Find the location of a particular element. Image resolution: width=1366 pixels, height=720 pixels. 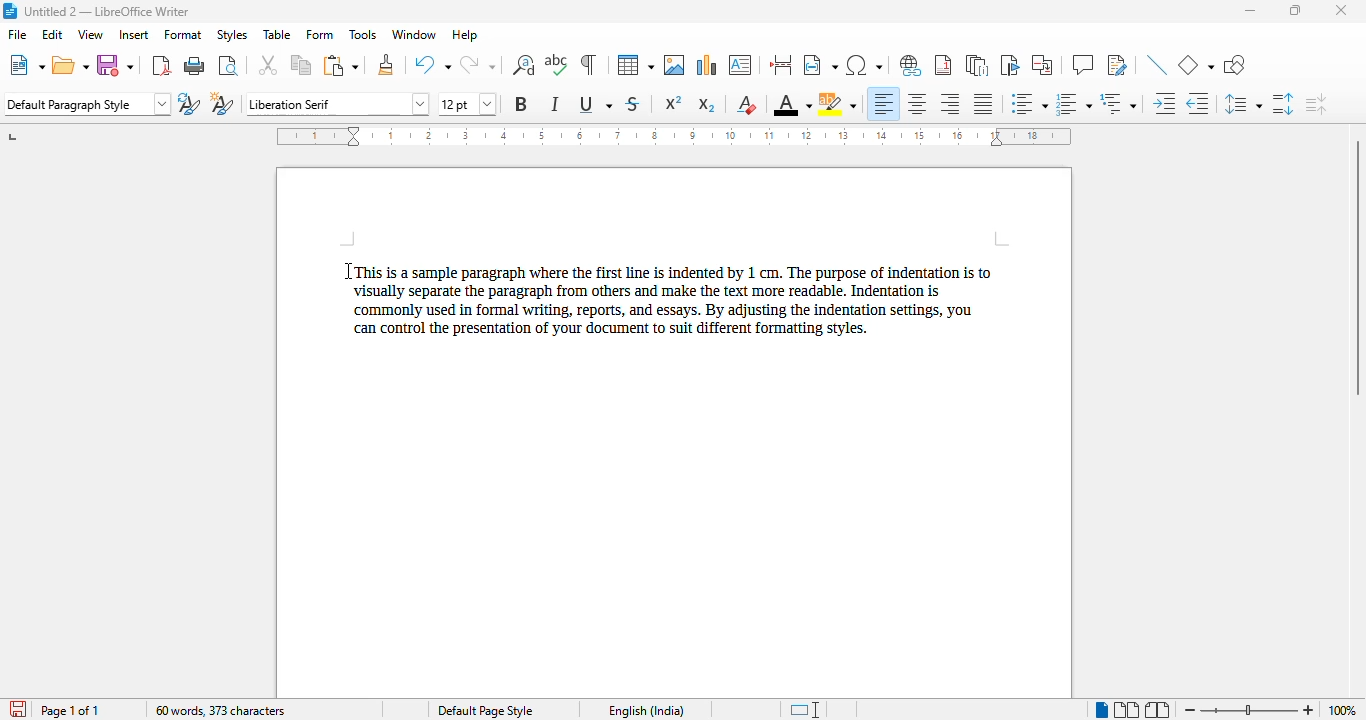

decrease paragraph spacing is located at coordinates (1316, 104).